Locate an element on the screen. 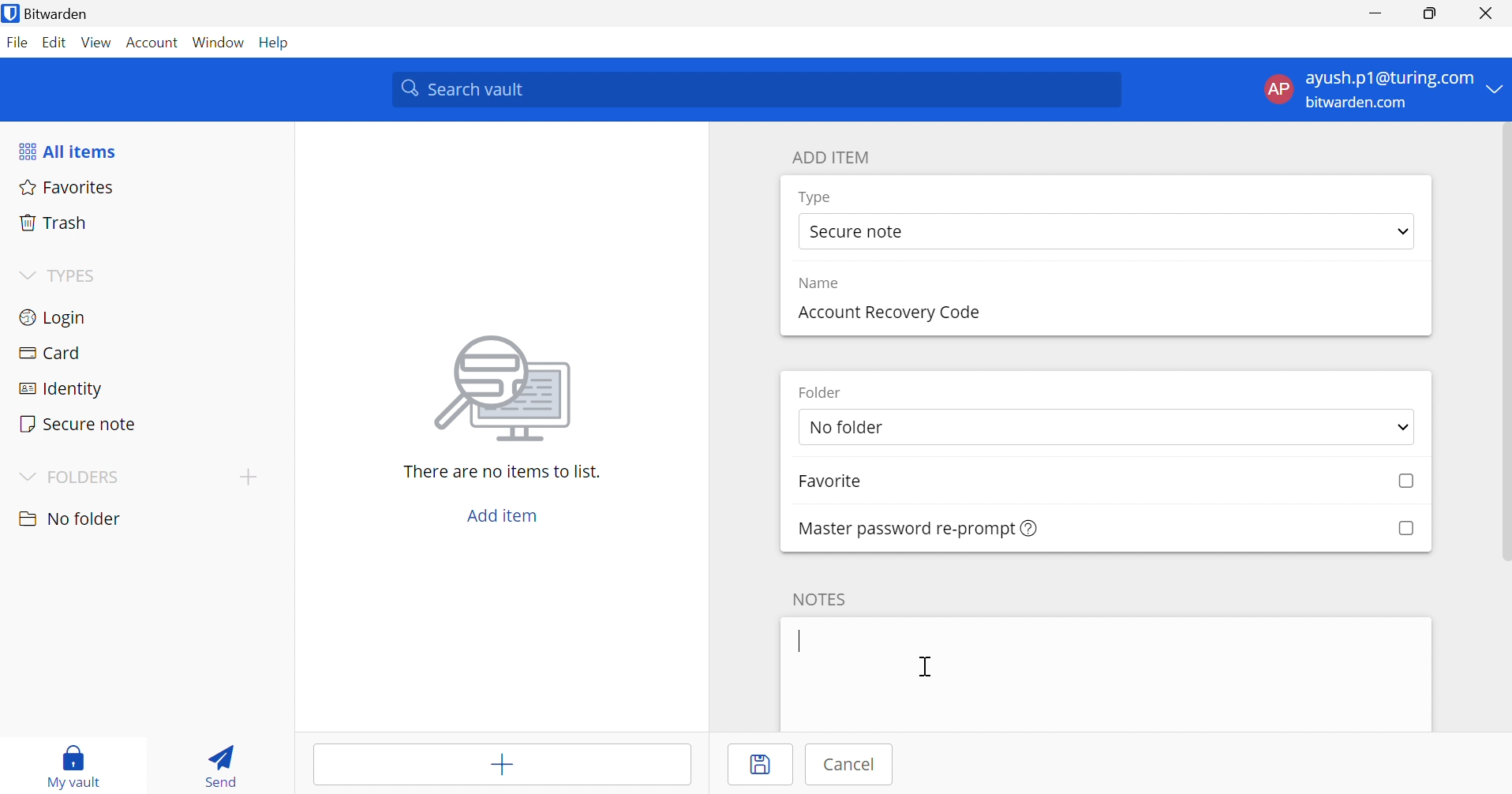  Account Recovery Code is located at coordinates (887, 311).